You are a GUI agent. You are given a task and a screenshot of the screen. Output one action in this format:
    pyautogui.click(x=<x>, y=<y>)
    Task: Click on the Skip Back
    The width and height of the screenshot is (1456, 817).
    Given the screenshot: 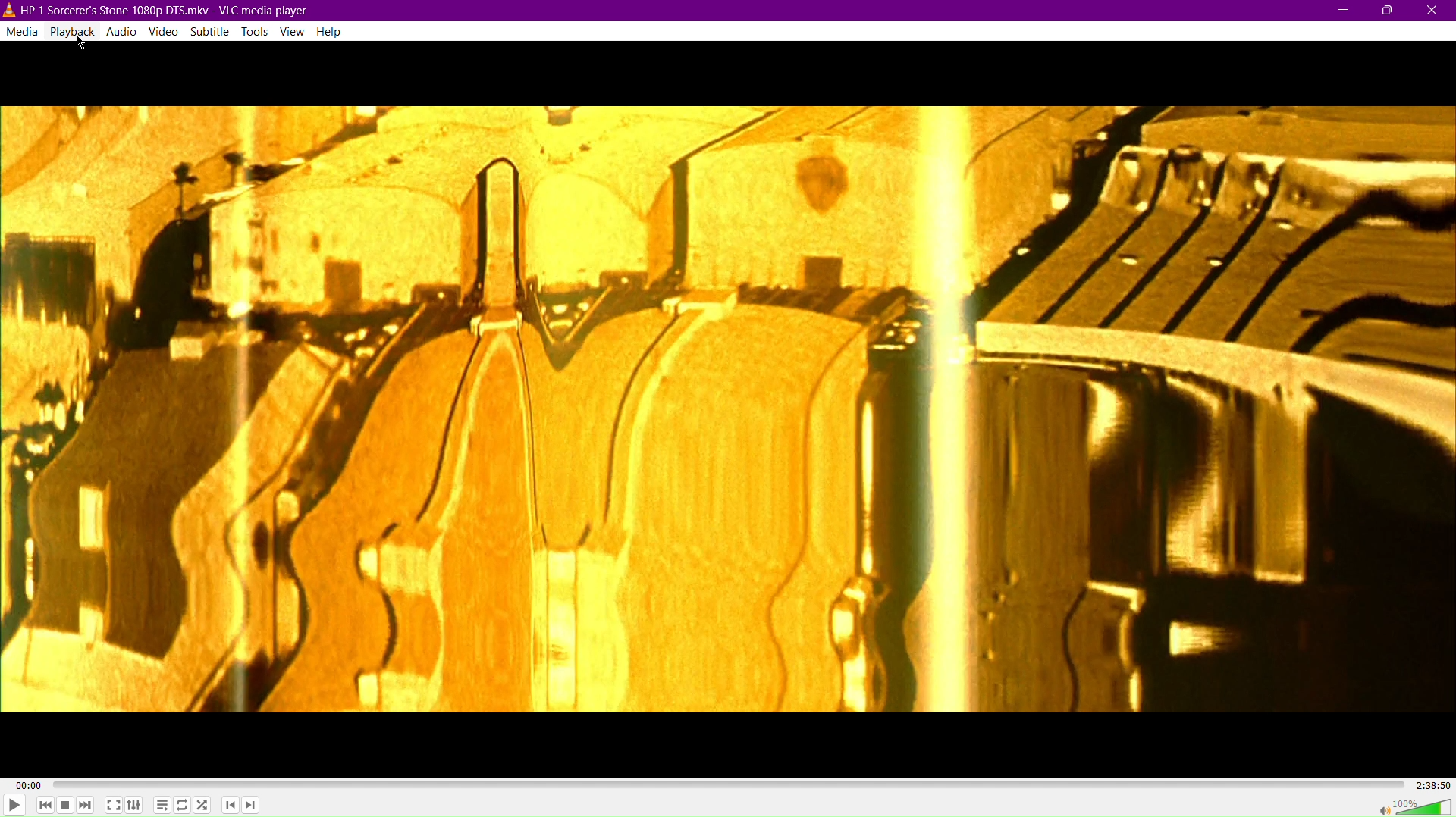 What is the action you would take?
    pyautogui.click(x=44, y=805)
    